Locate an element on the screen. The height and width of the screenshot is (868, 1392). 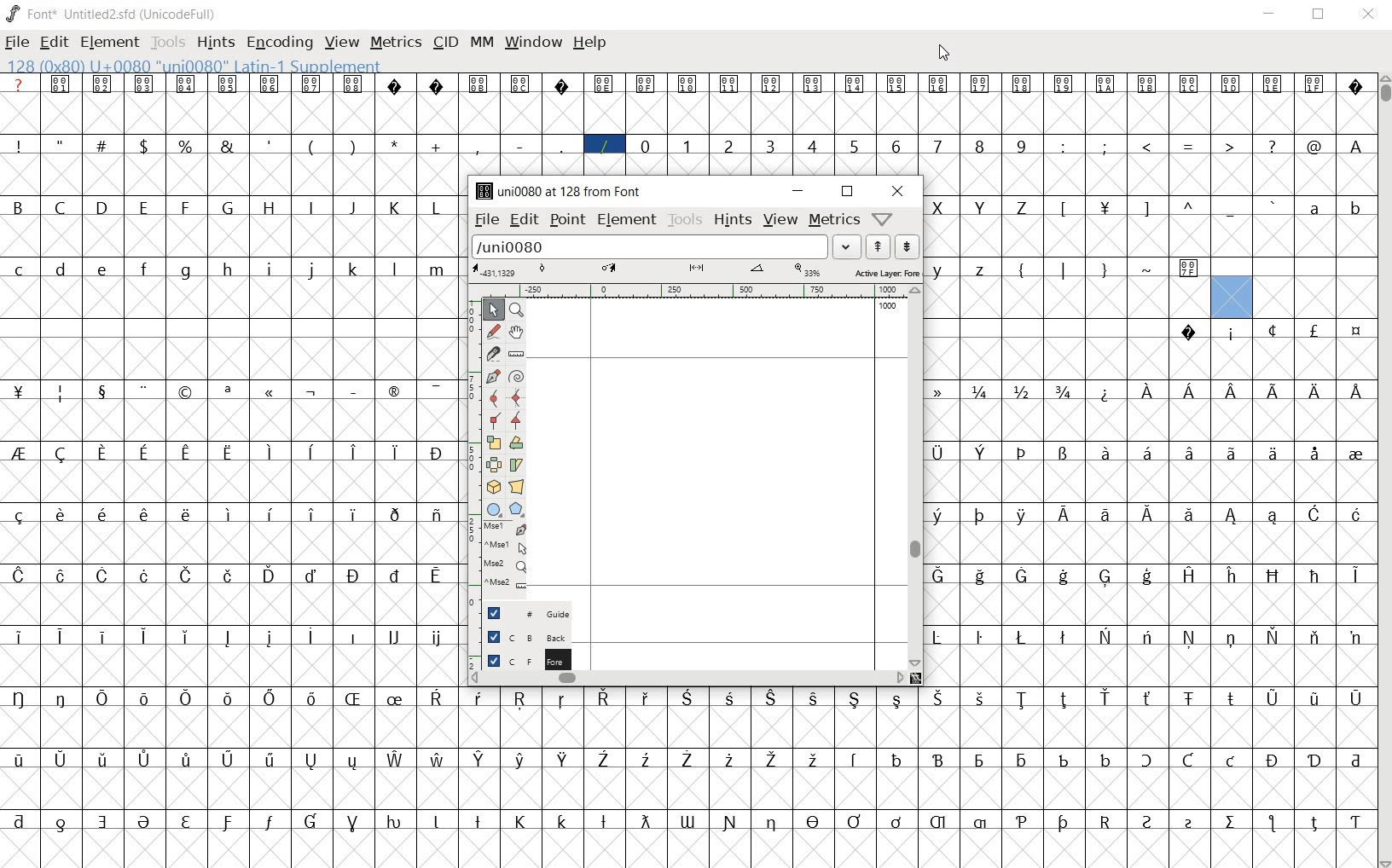
glyph is located at coordinates (309, 636).